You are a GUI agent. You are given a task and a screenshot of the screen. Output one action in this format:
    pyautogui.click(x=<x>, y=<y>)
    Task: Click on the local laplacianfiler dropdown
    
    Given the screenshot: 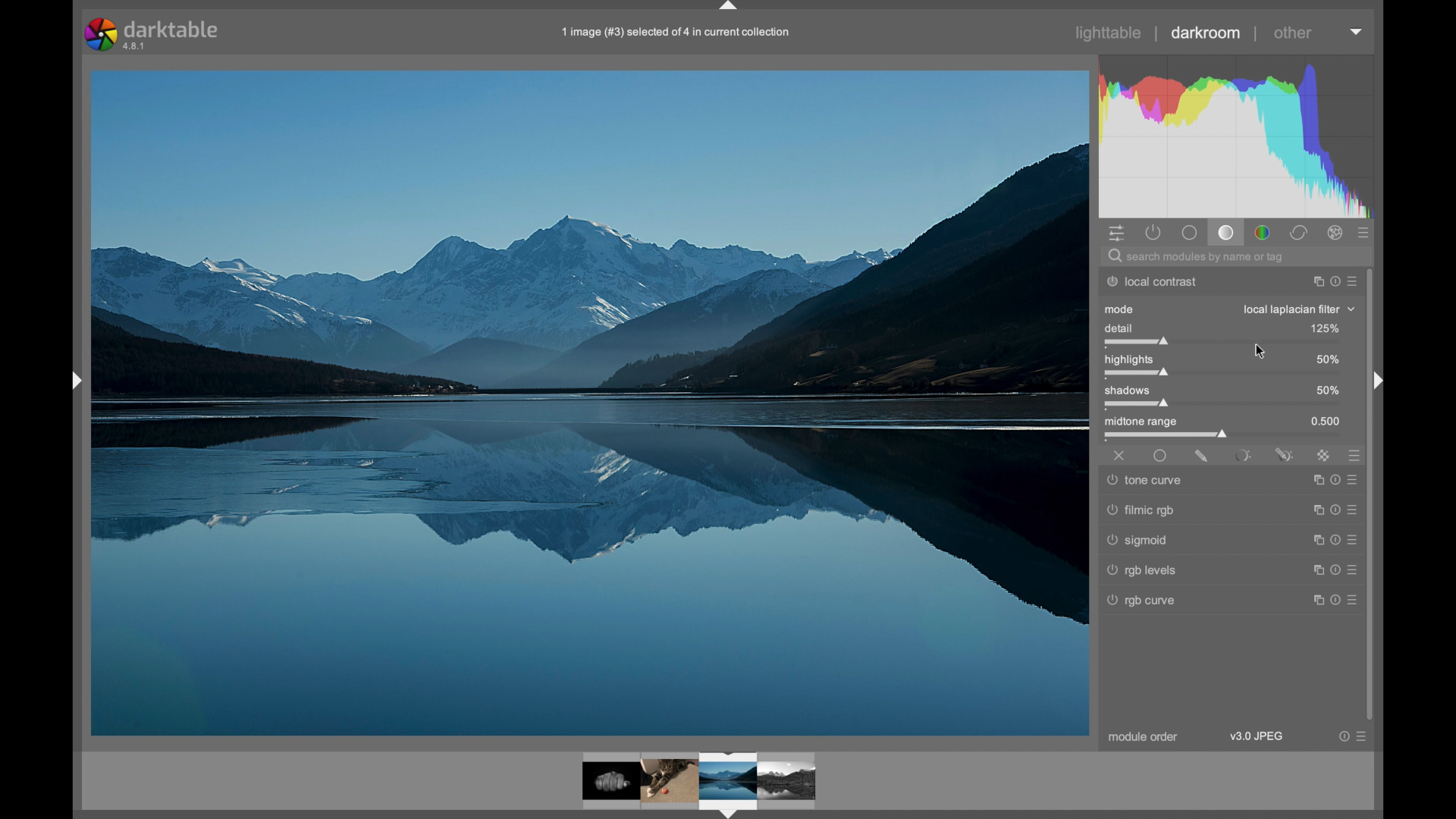 What is the action you would take?
    pyautogui.click(x=1301, y=309)
    